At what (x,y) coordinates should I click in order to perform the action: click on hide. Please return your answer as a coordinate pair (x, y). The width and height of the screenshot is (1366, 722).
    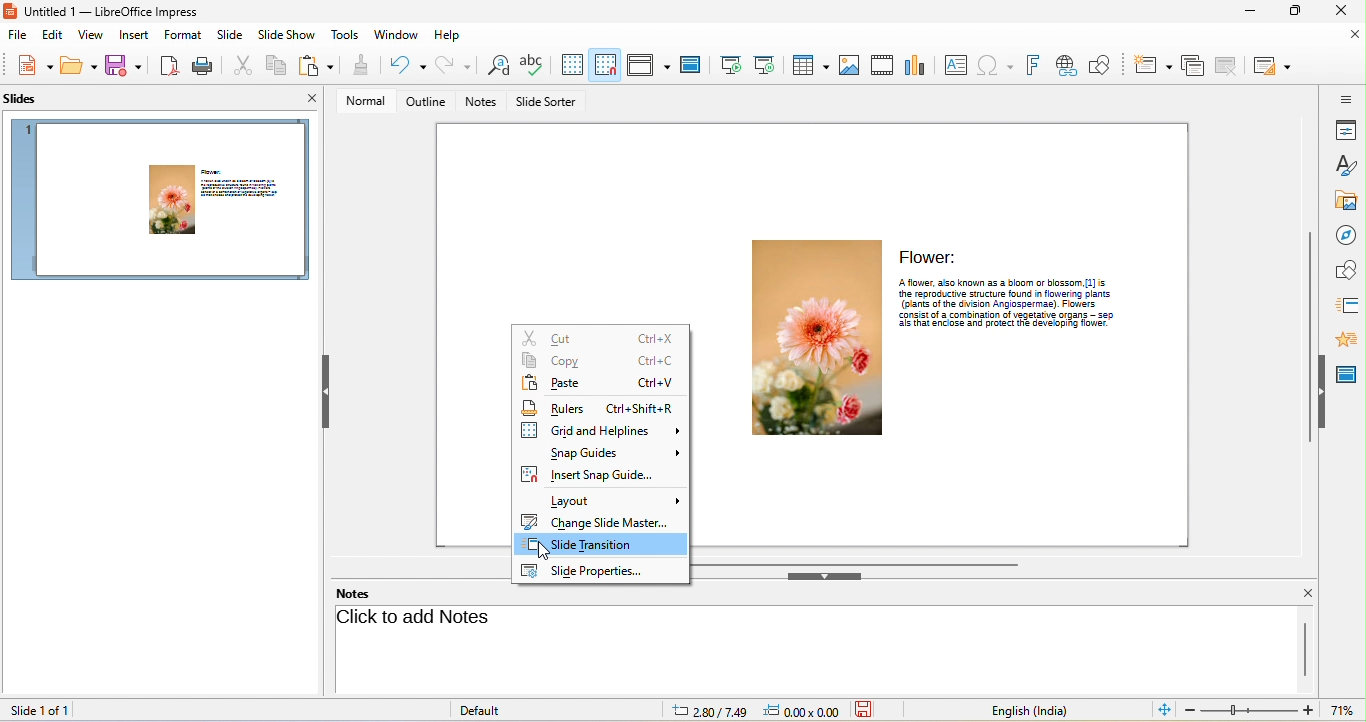
    Looking at the image, I should click on (829, 578).